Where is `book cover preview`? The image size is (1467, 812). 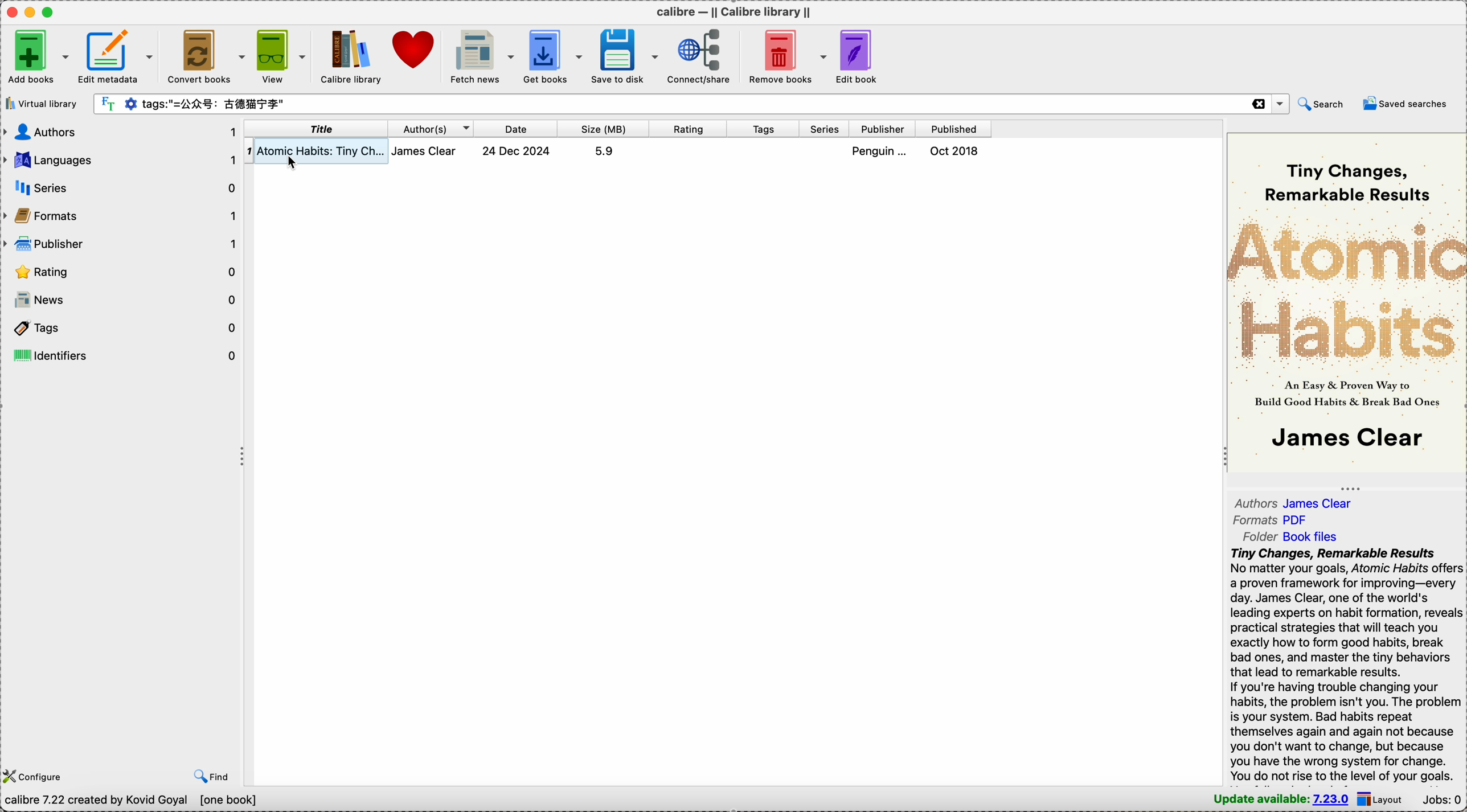
book cover preview is located at coordinates (1346, 304).